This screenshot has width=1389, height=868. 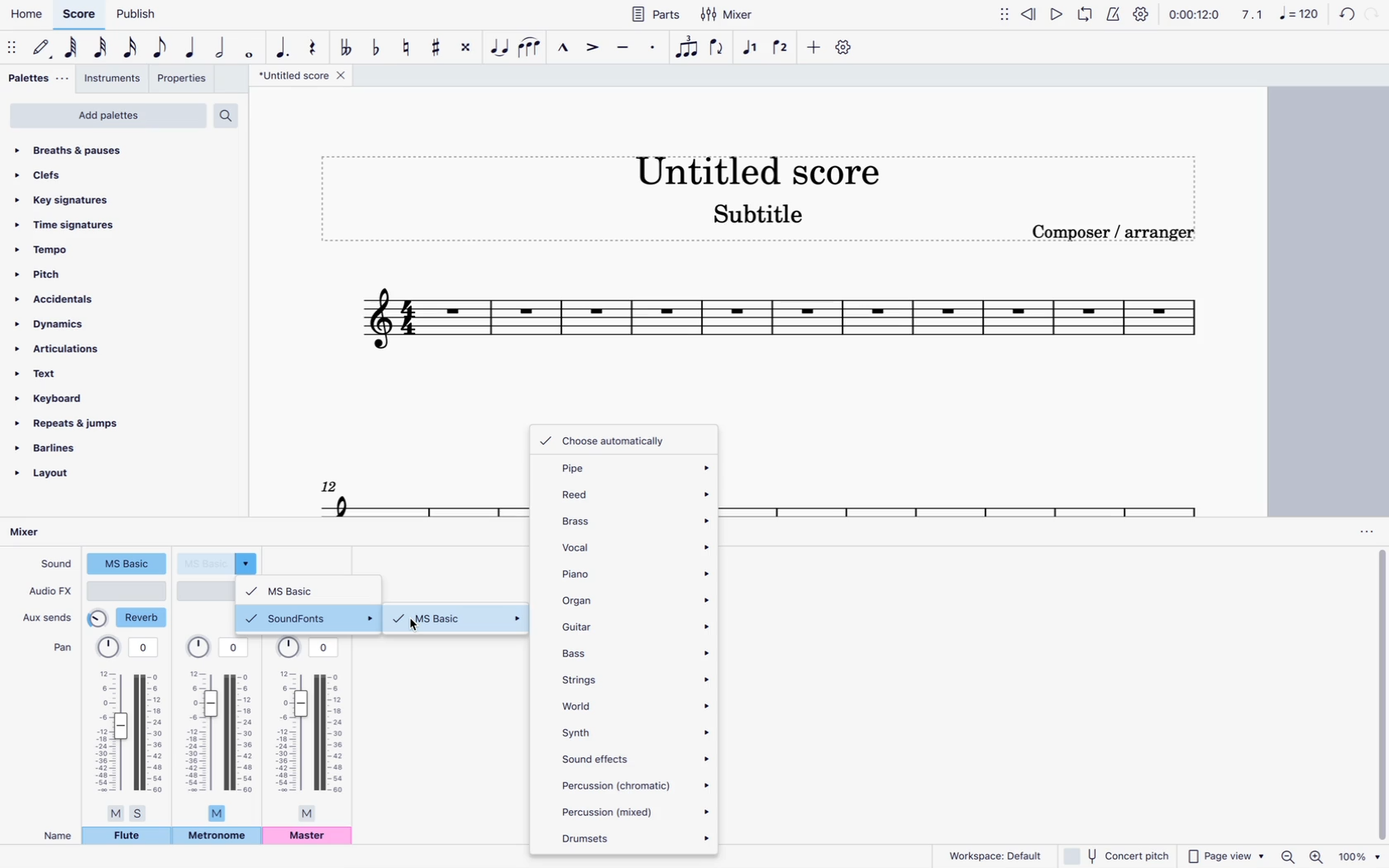 I want to click on sound, so click(x=55, y=565).